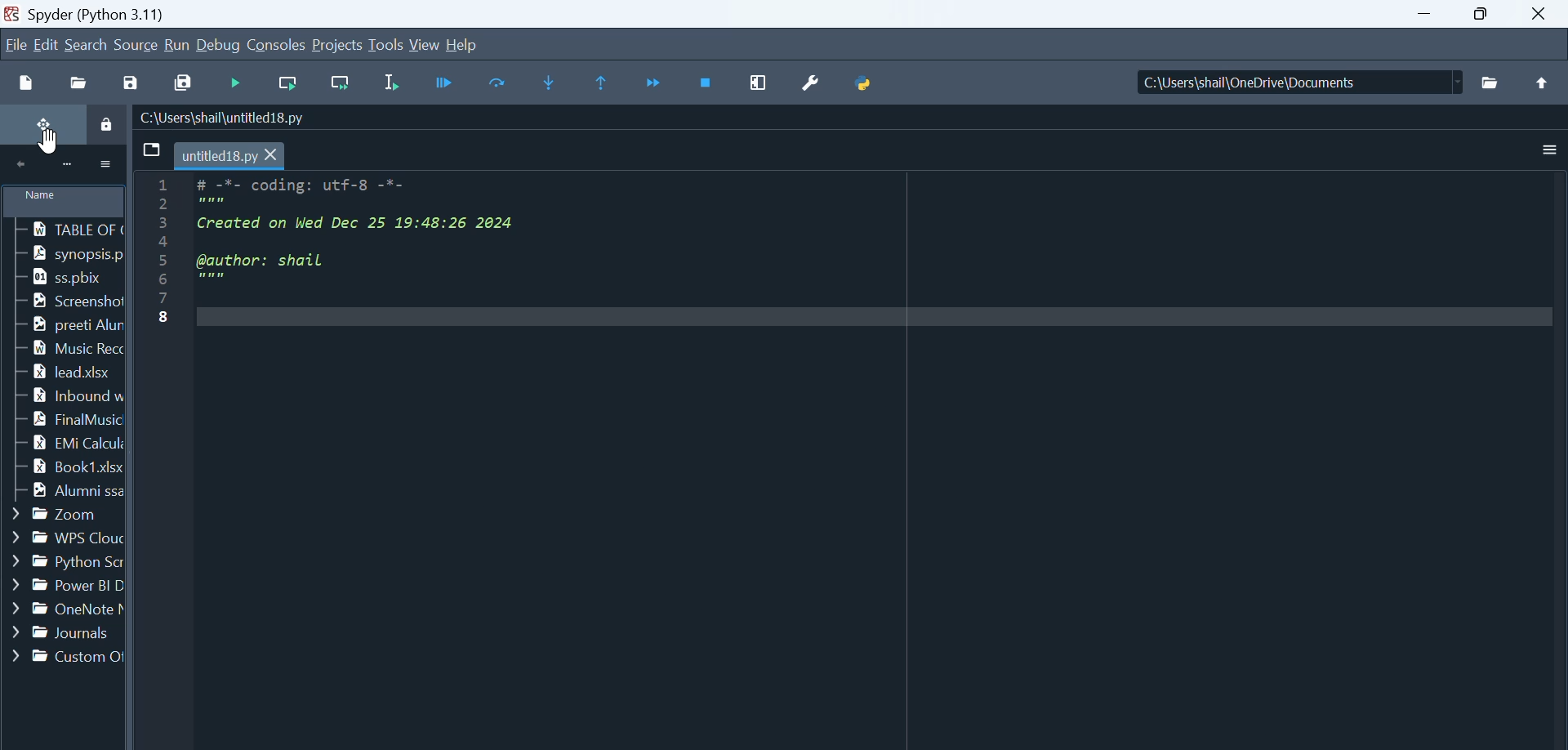  Describe the element at coordinates (20, 167) in the screenshot. I see `icon ` at that location.